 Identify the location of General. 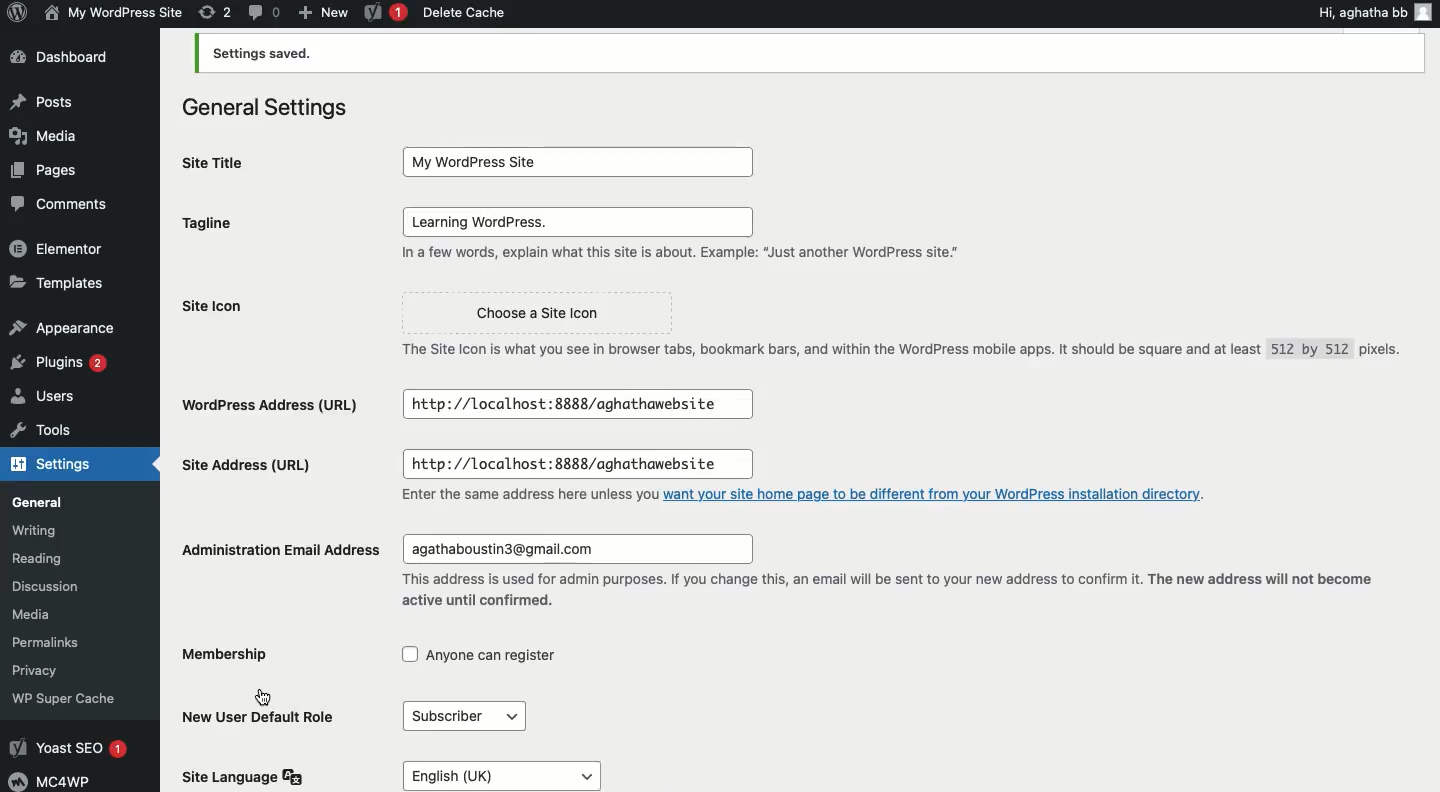
(65, 502).